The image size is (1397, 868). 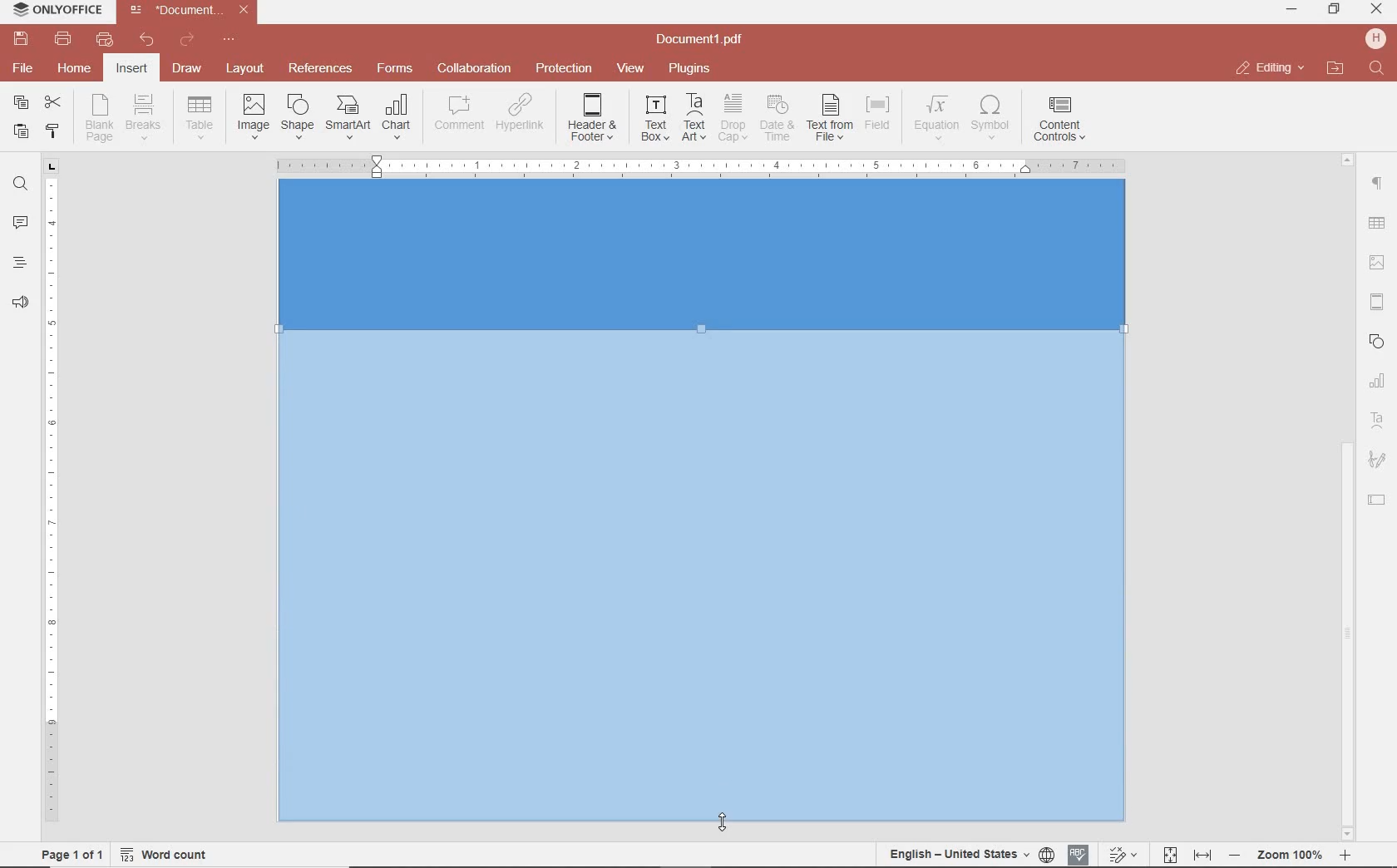 What do you see at coordinates (694, 118) in the screenshot?
I see `INSERT TEXT ART` at bounding box center [694, 118].